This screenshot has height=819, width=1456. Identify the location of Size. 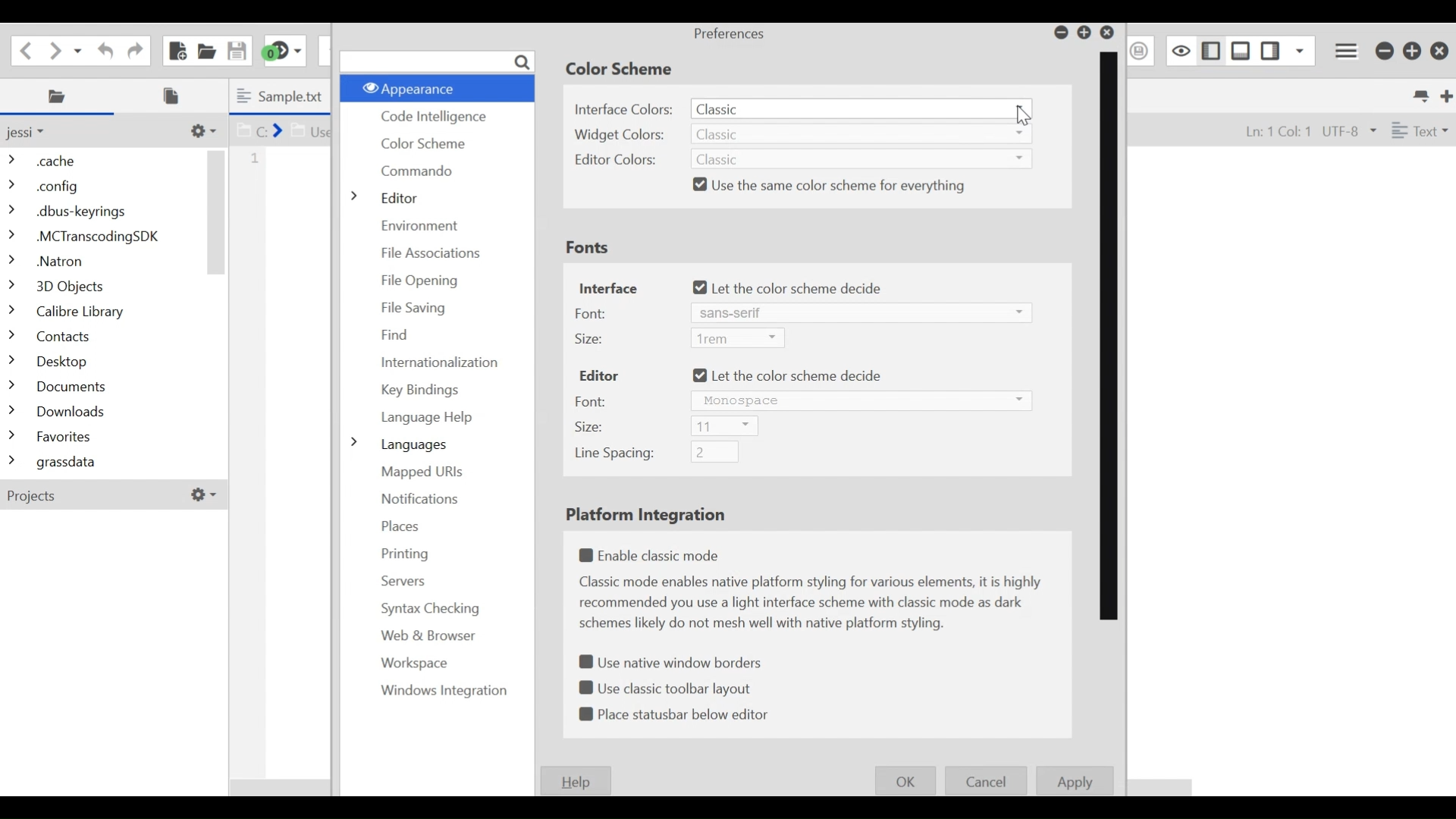
(589, 339).